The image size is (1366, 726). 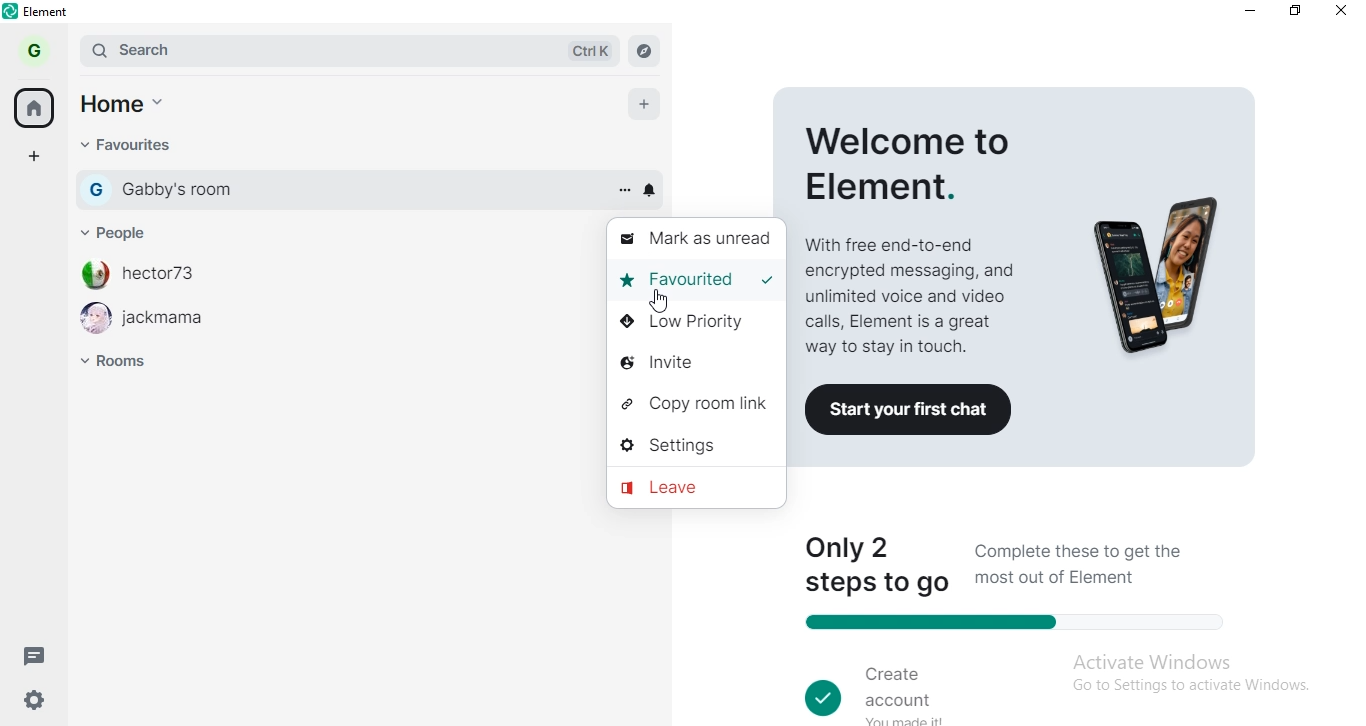 What do you see at coordinates (40, 49) in the screenshot?
I see `profile` at bounding box center [40, 49].